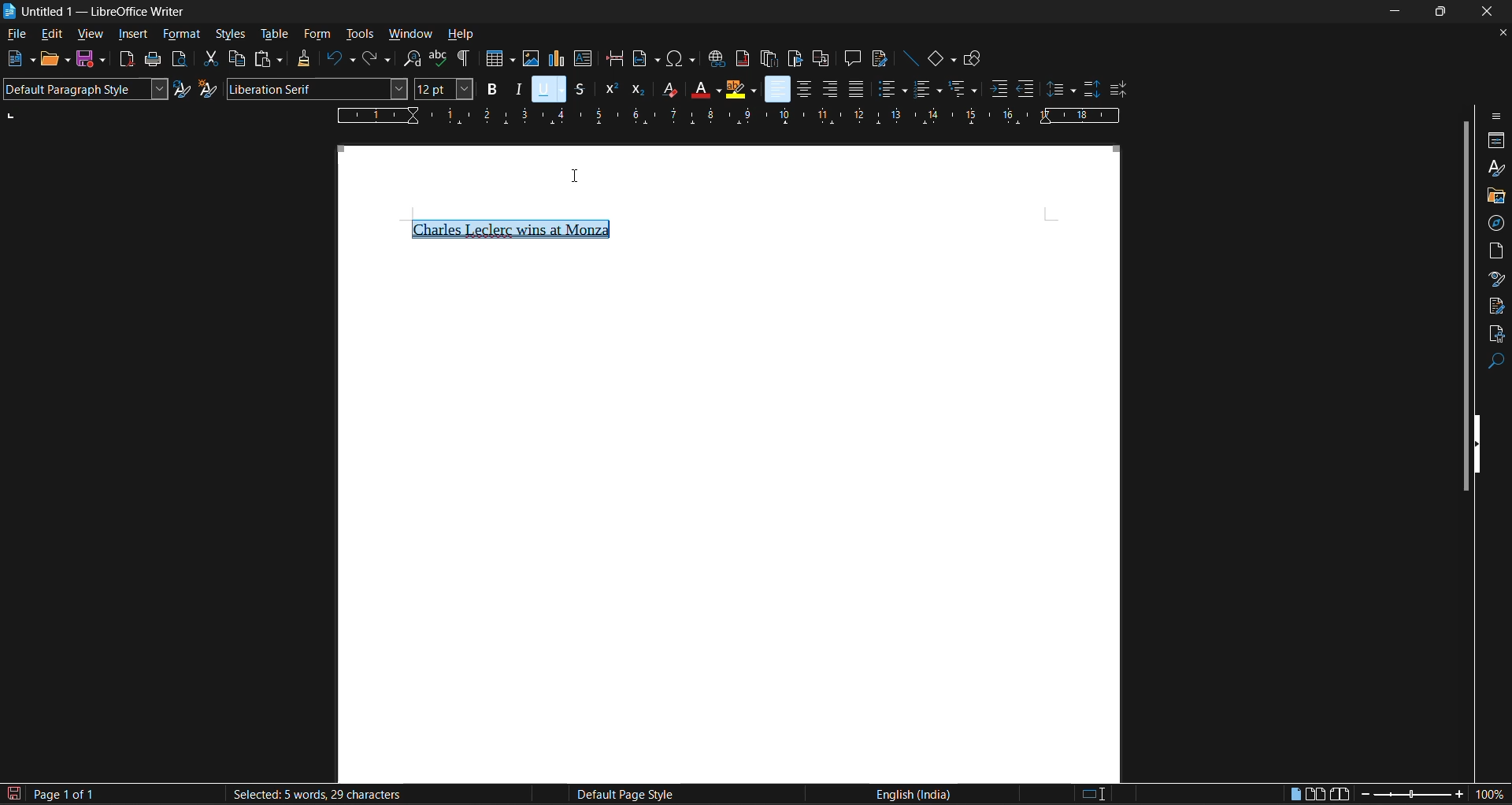 Image resolution: width=1512 pixels, height=805 pixels. I want to click on zoom factor, so click(1492, 793).